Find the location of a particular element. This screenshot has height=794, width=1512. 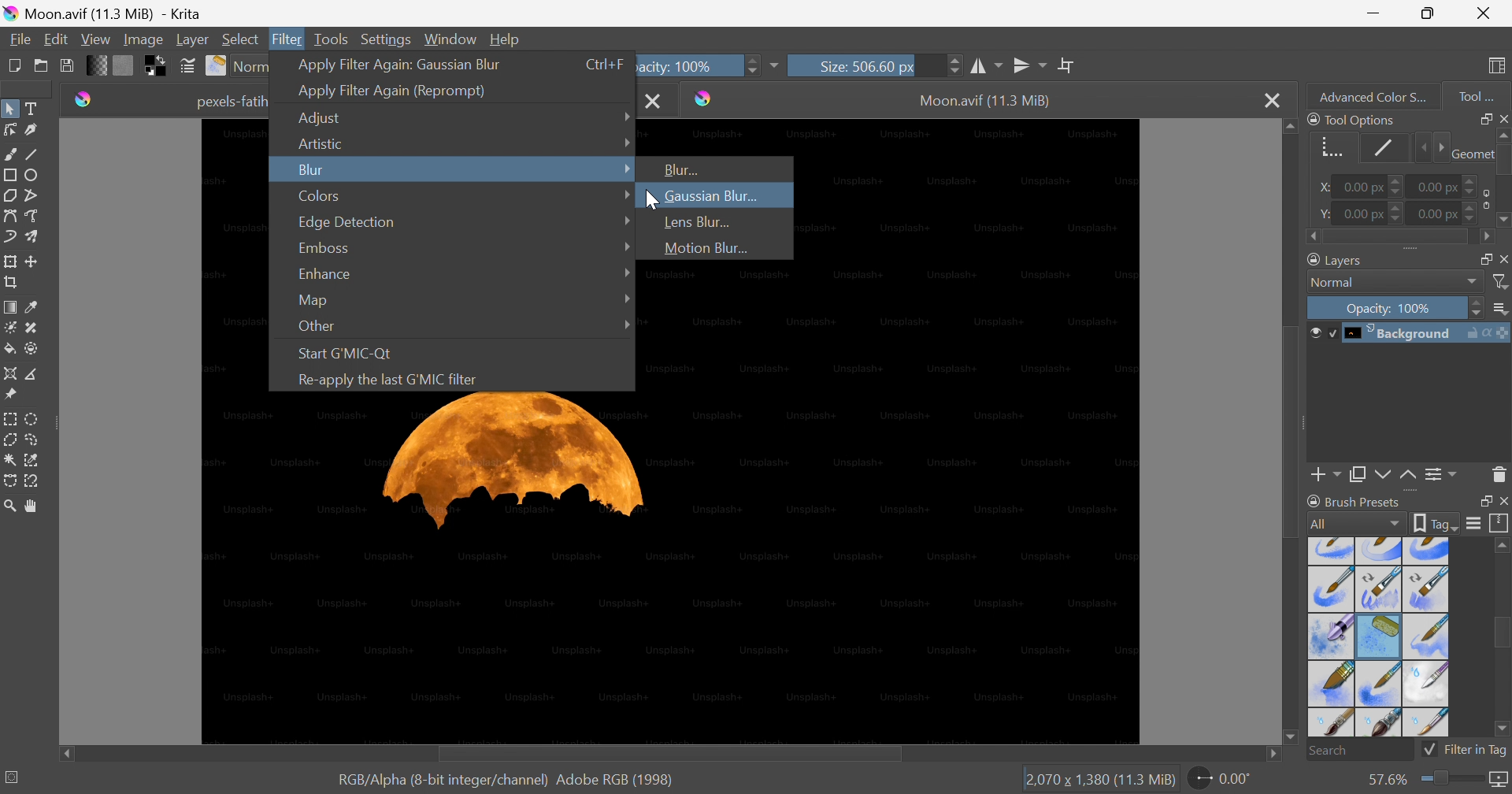

Layers is located at coordinates (1332, 260).